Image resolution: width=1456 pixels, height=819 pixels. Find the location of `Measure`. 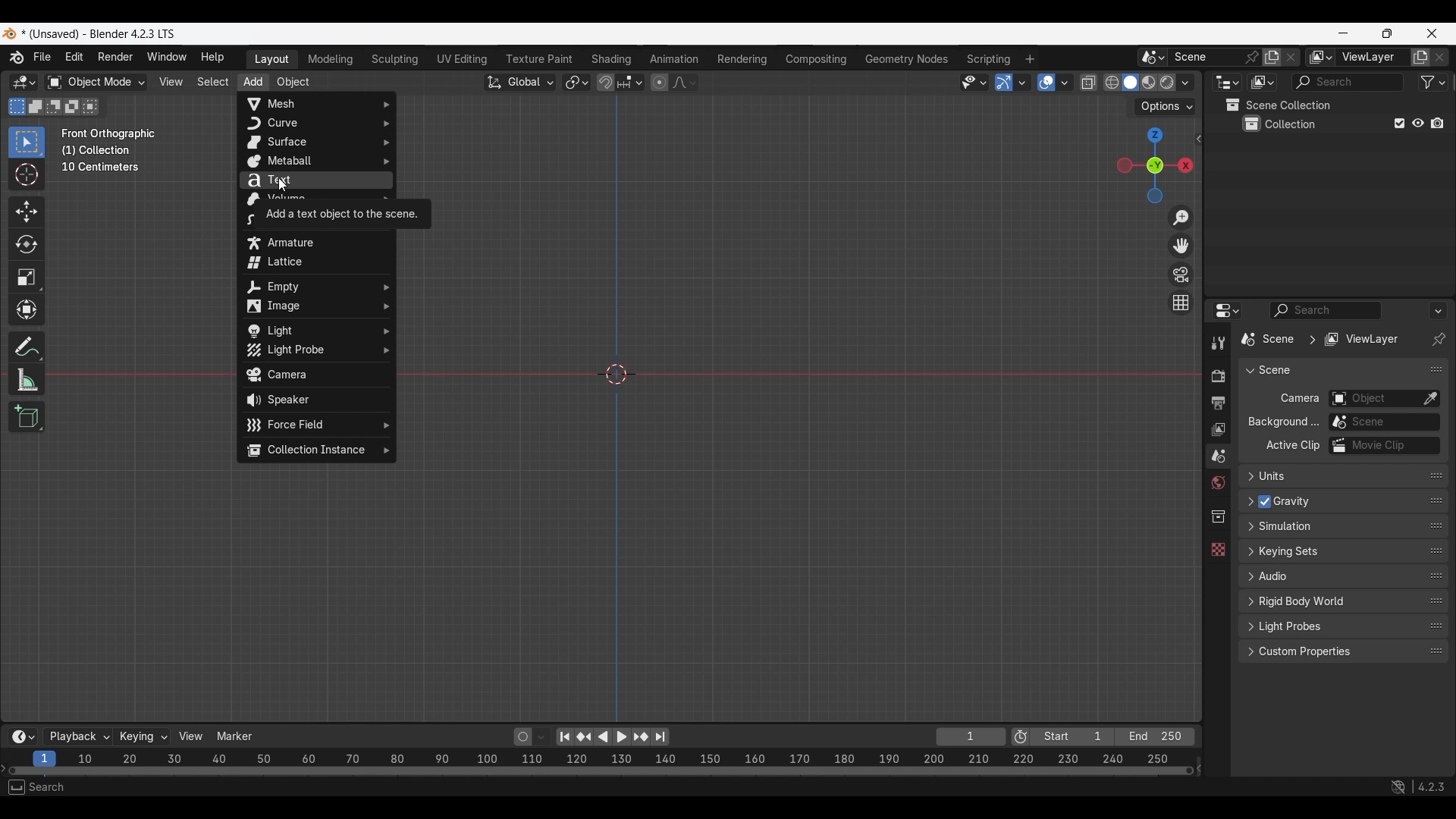

Measure is located at coordinates (27, 380).